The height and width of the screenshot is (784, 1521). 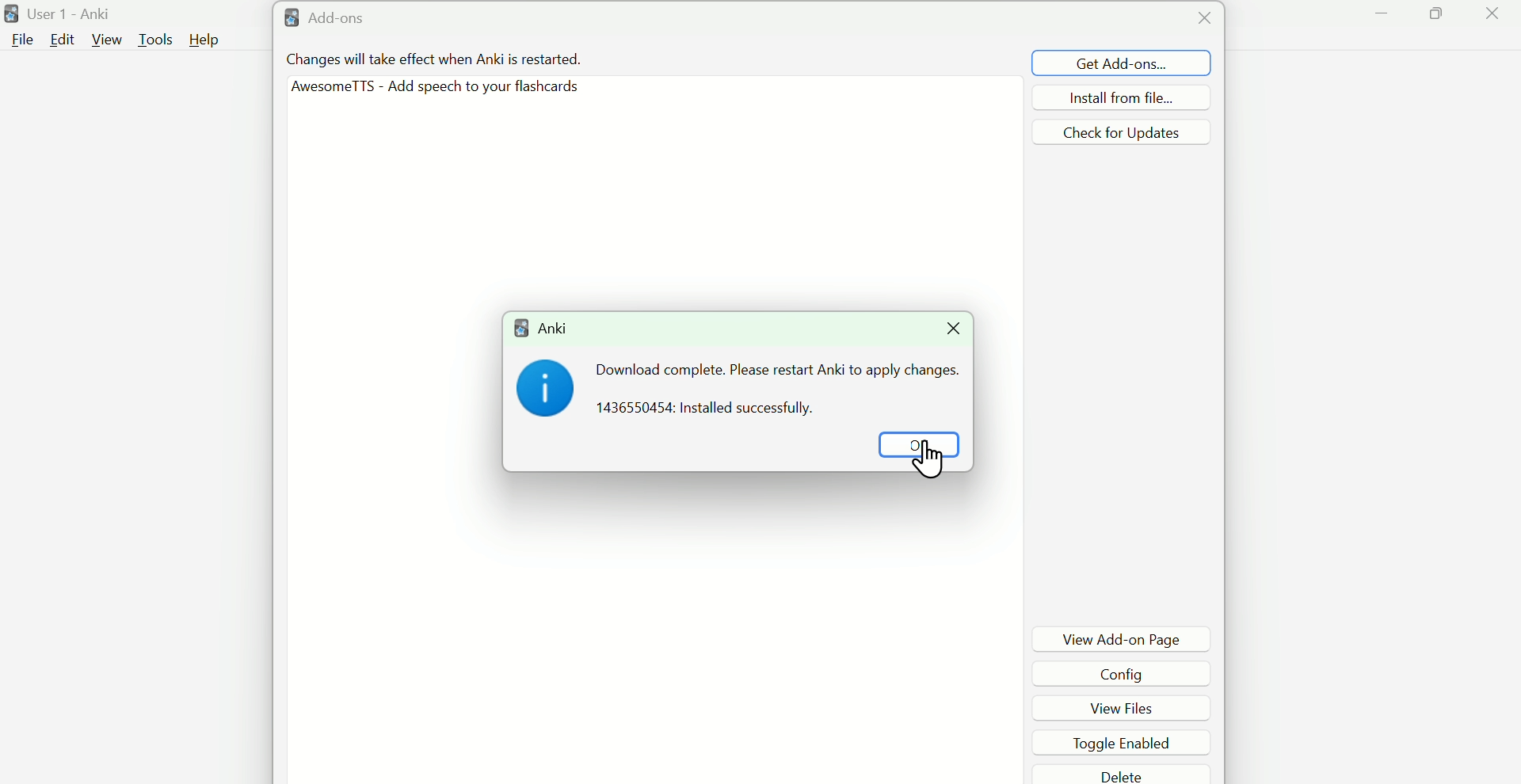 What do you see at coordinates (561, 328) in the screenshot?
I see `ANKI` at bounding box center [561, 328].